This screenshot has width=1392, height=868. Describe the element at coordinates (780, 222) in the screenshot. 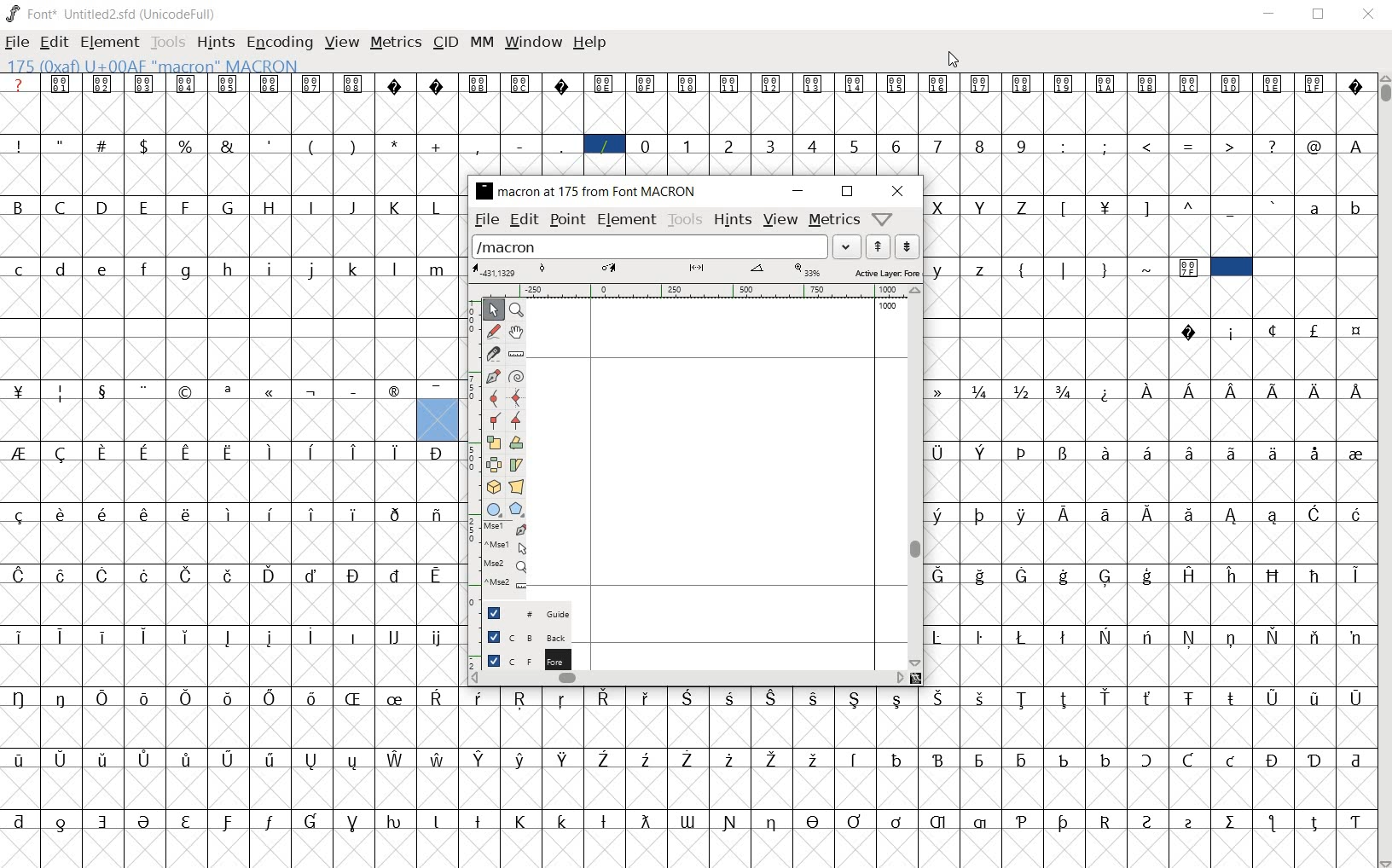

I see `view` at that location.